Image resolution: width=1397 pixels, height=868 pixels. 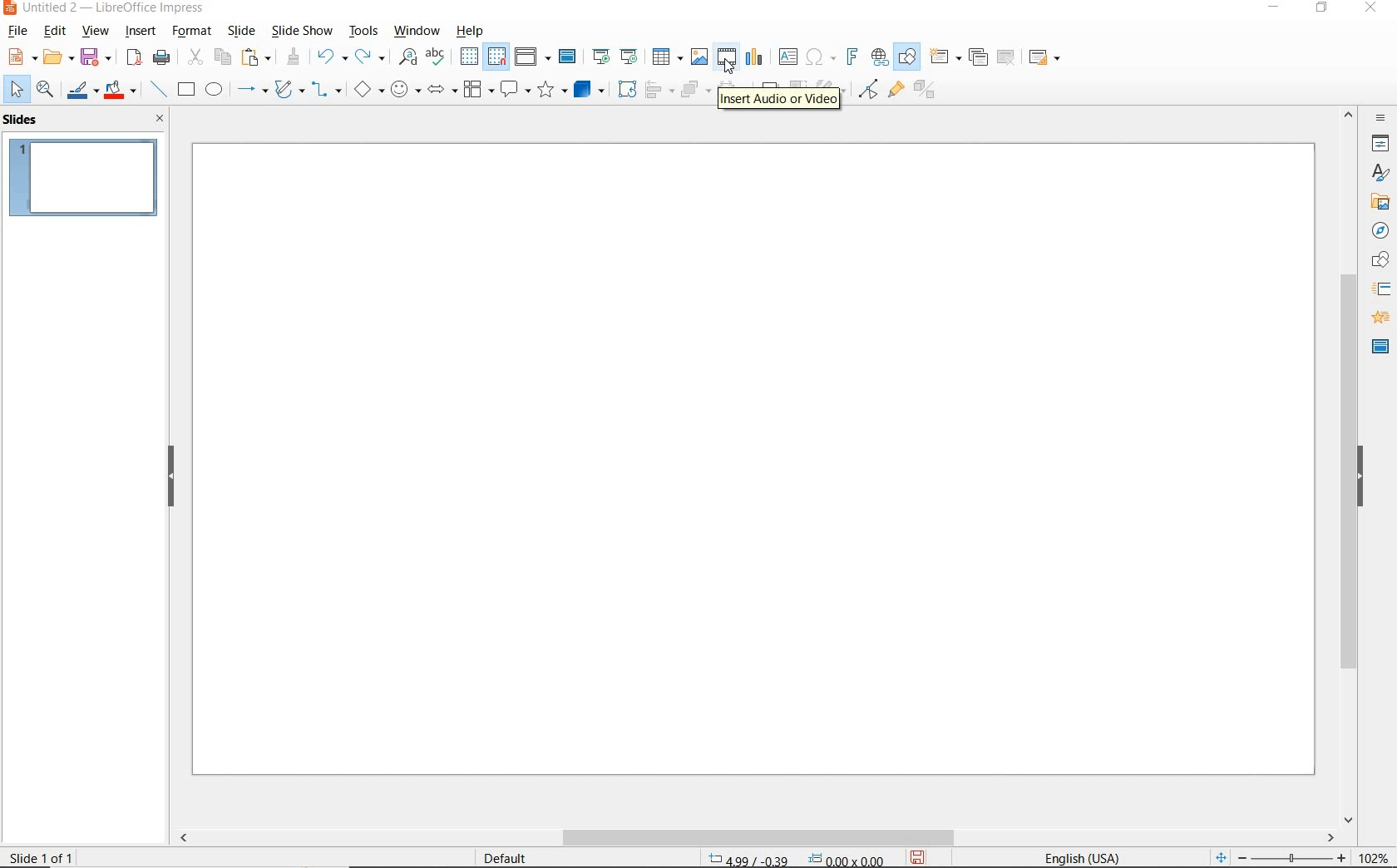 What do you see at coordinates (81, 91) in the screenshot?
I see `LINE COLOR` at bounding box center [81, 91].